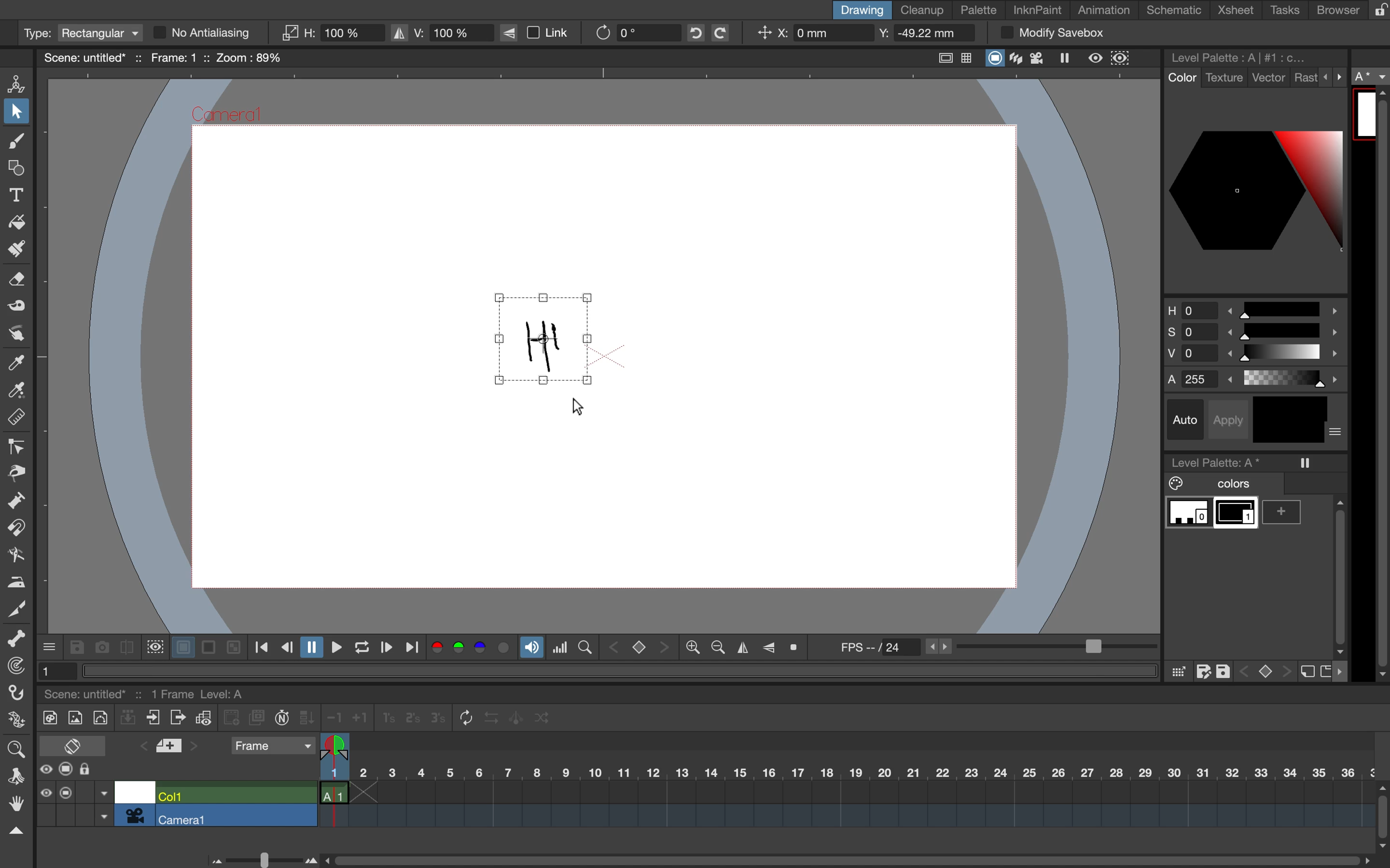 This screenshot has width=1390, height=868. What do you see at coordinates (17, 639) in the screenshot?
I see `skeleton tool` at bounding box center [17, 639].